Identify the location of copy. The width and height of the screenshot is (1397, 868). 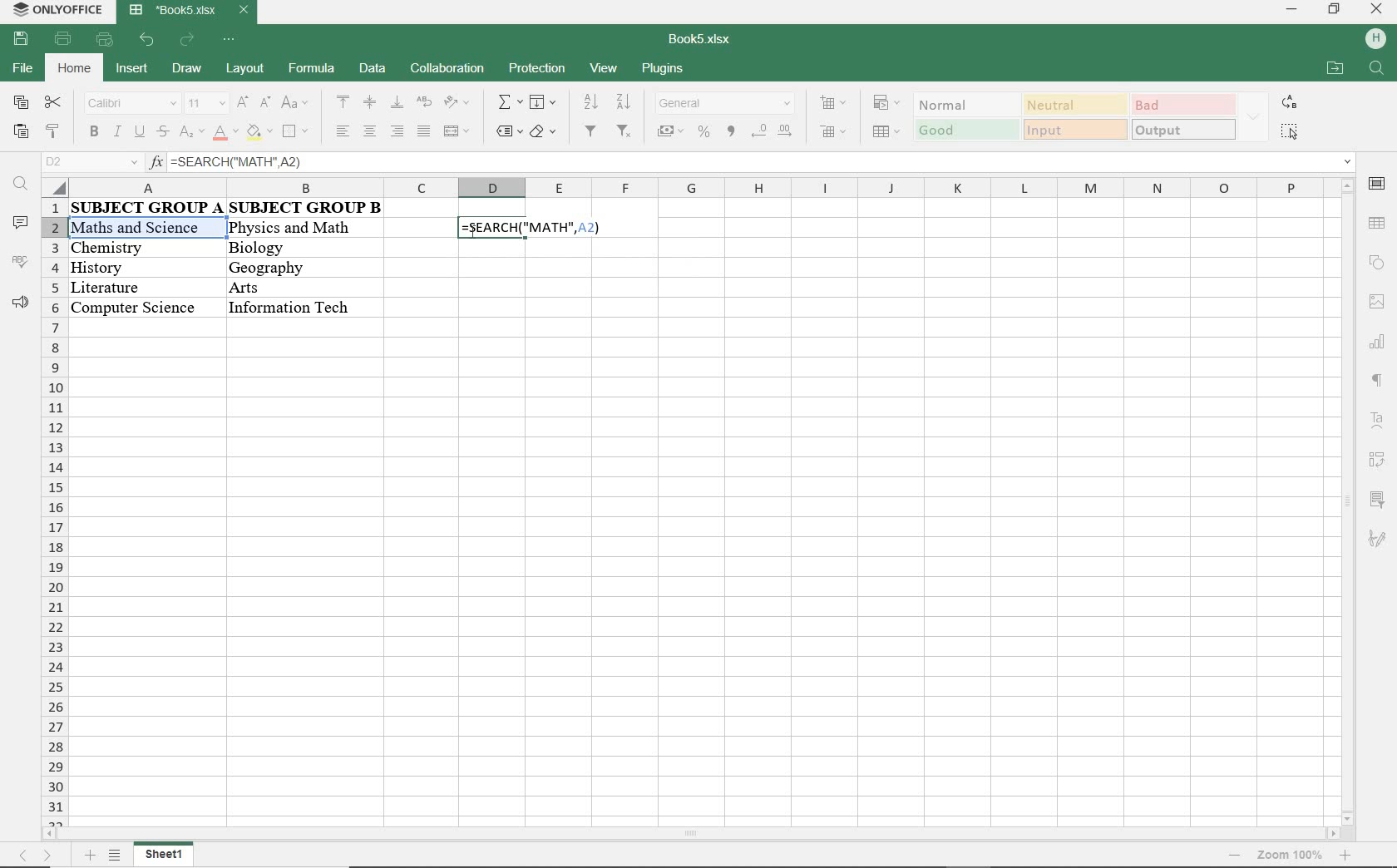
(21, 101).